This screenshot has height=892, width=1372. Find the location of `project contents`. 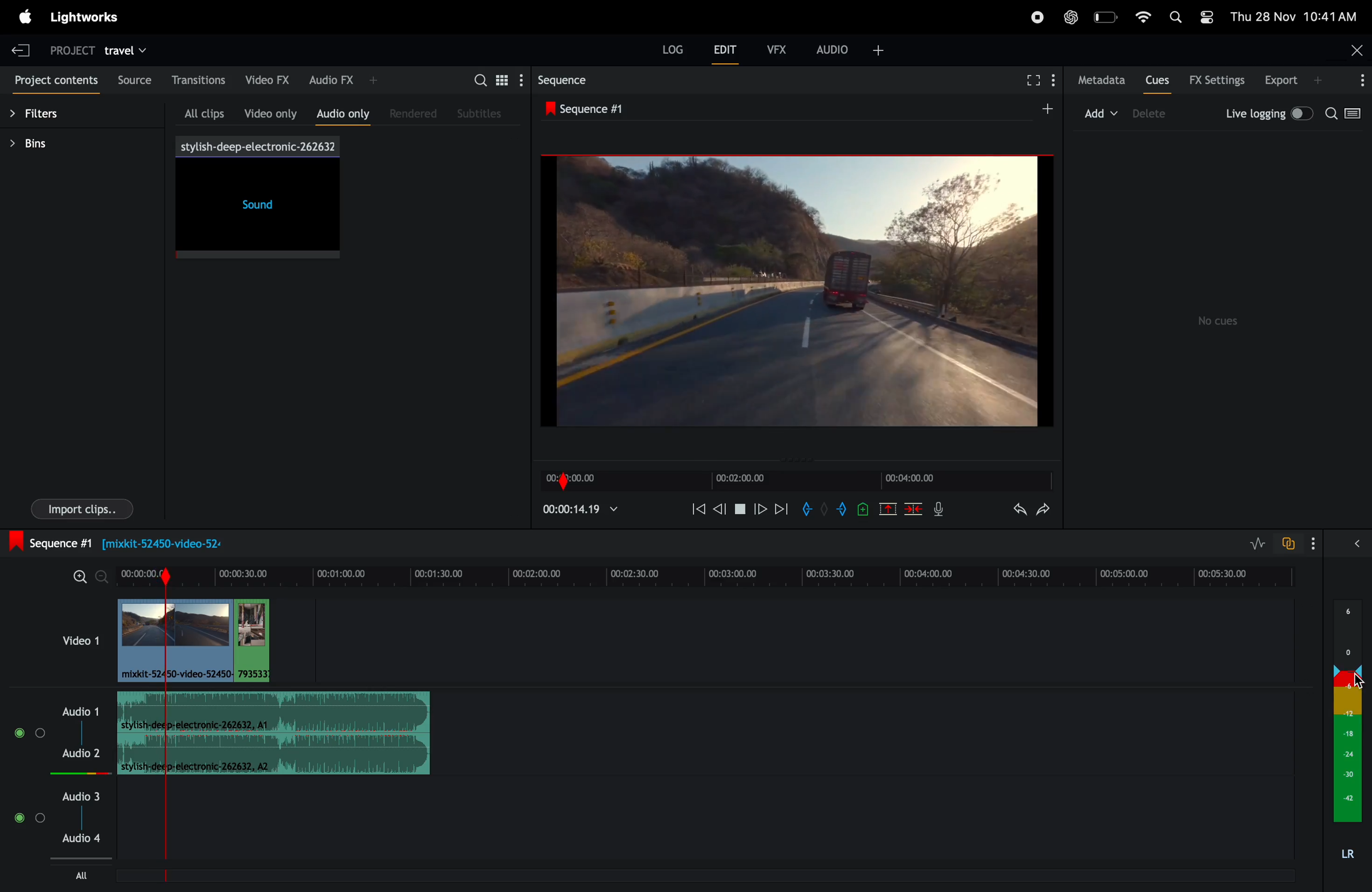

project contents is located at coordinates (54, 77).